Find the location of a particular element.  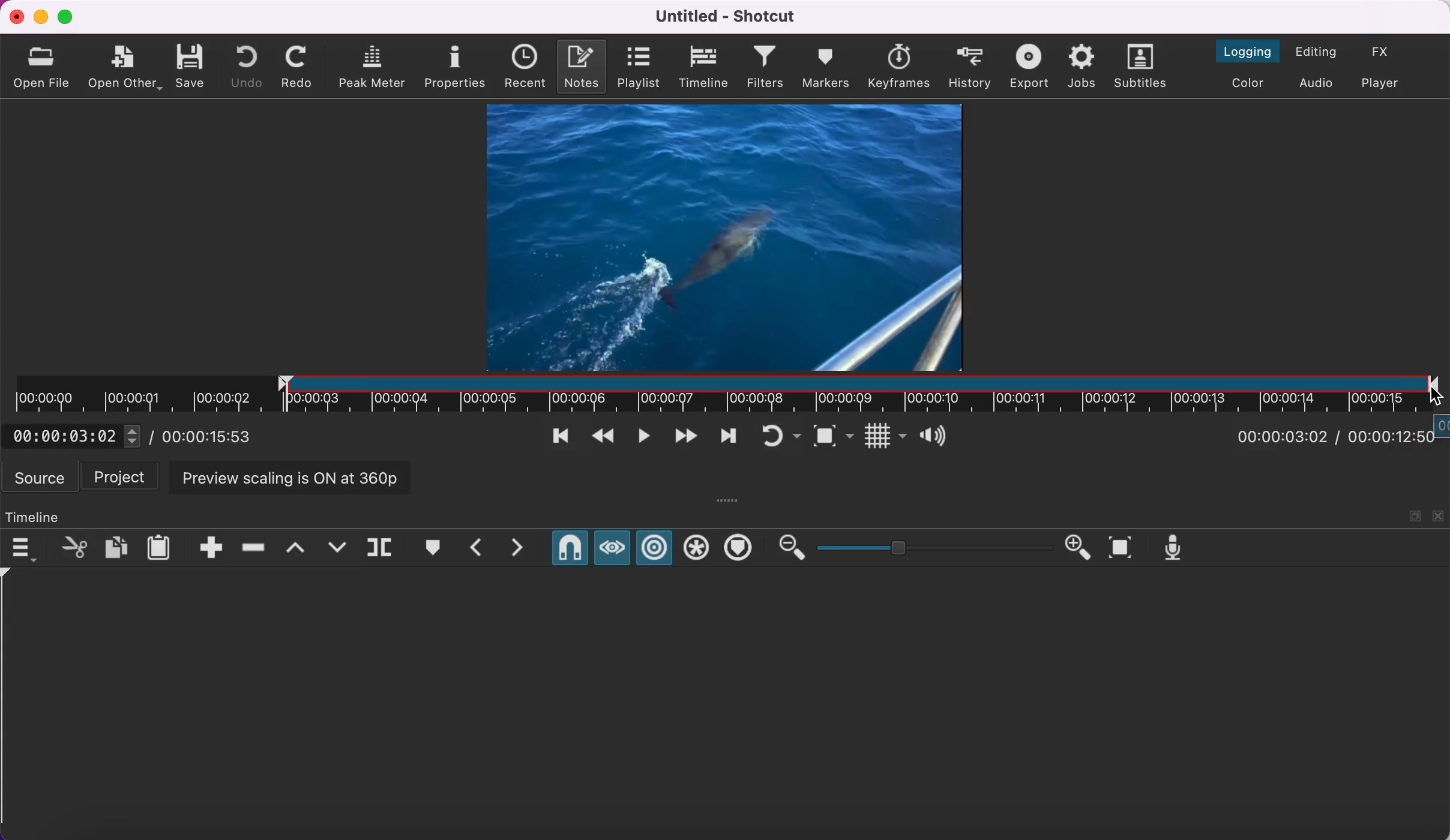

ripple markers is located at coordinates (739, 548).